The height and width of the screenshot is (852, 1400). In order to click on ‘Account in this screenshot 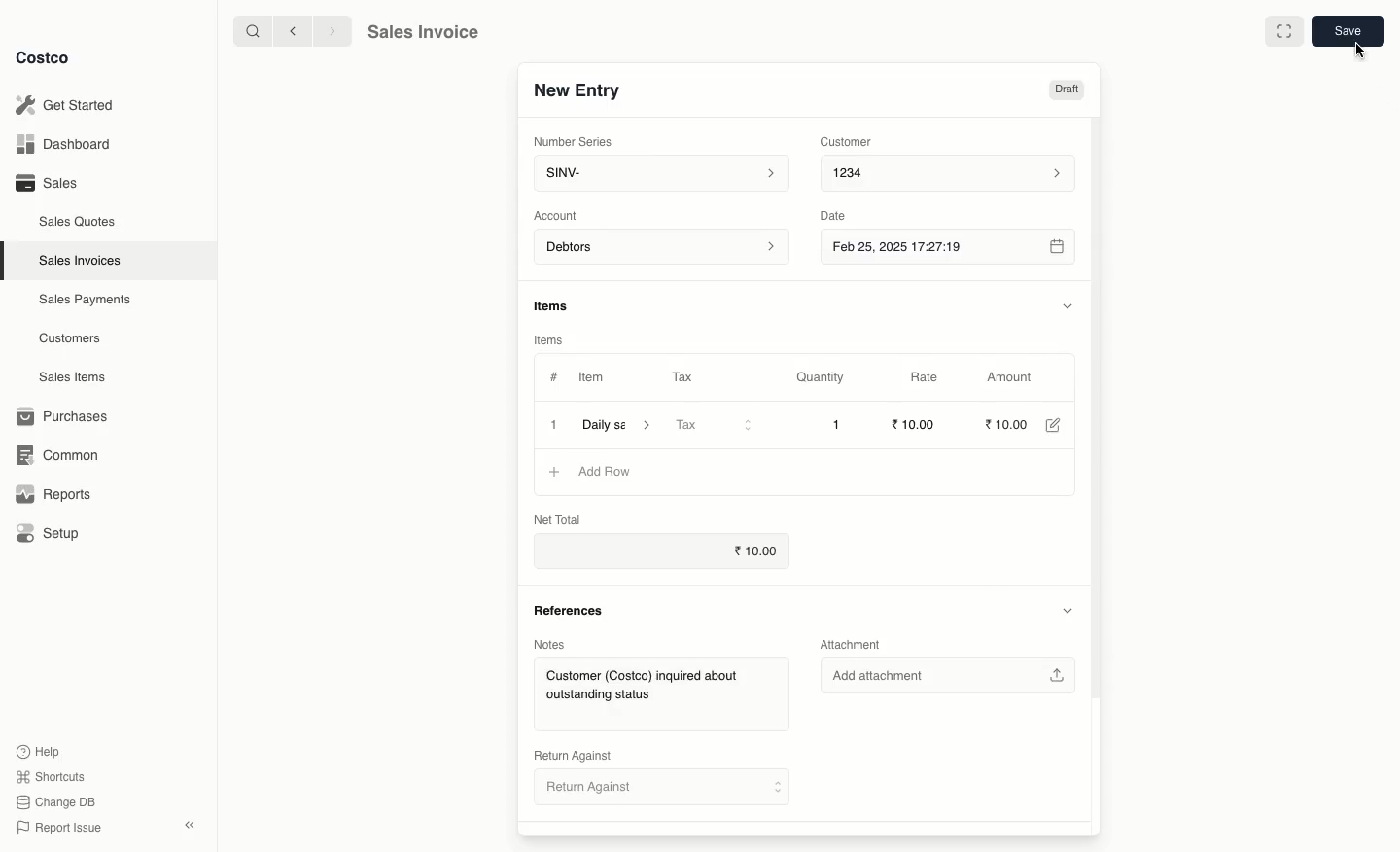, I will do `click(558, 216)`.